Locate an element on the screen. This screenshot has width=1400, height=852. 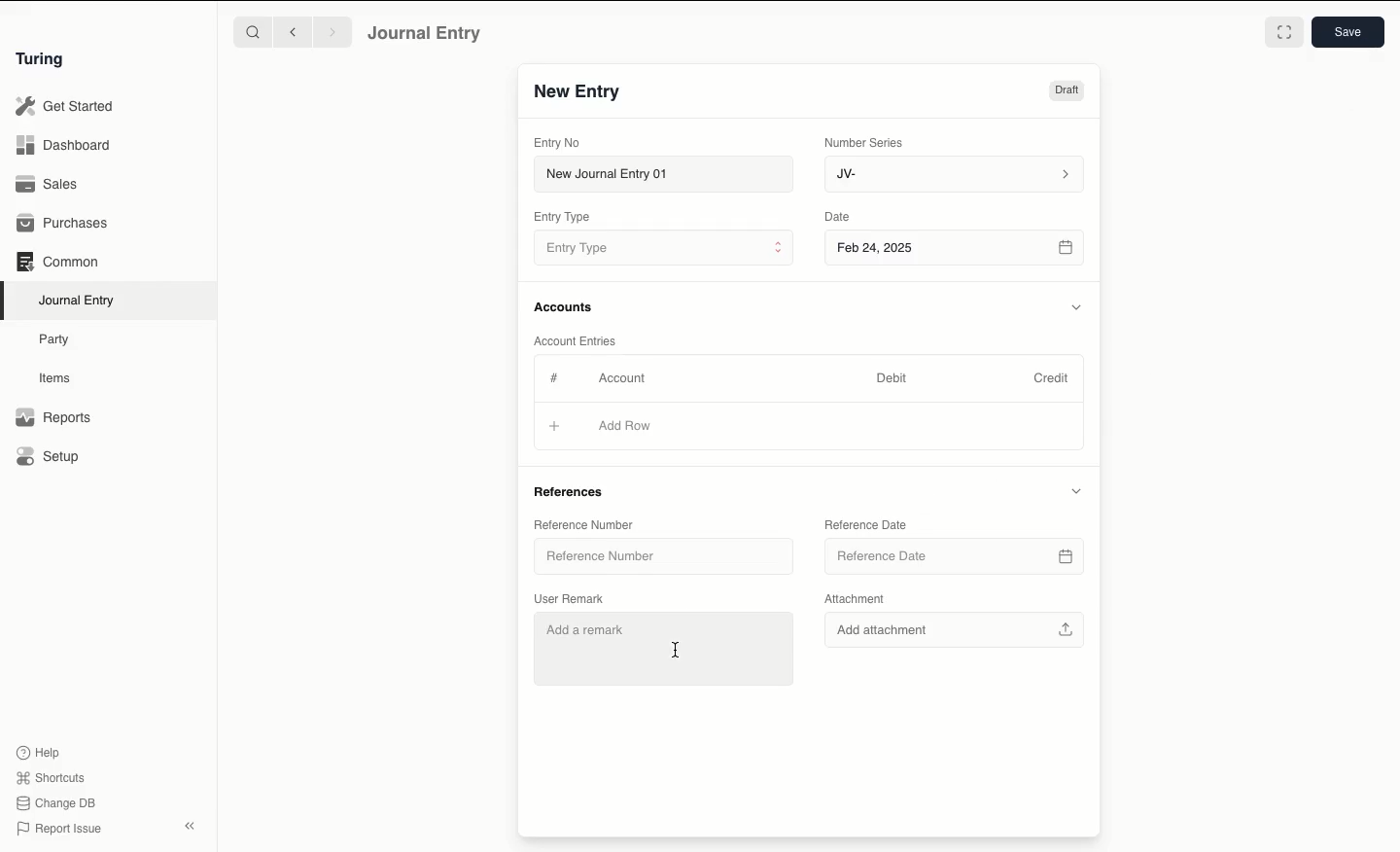
Entry Type is located at coordinates (663, 247).